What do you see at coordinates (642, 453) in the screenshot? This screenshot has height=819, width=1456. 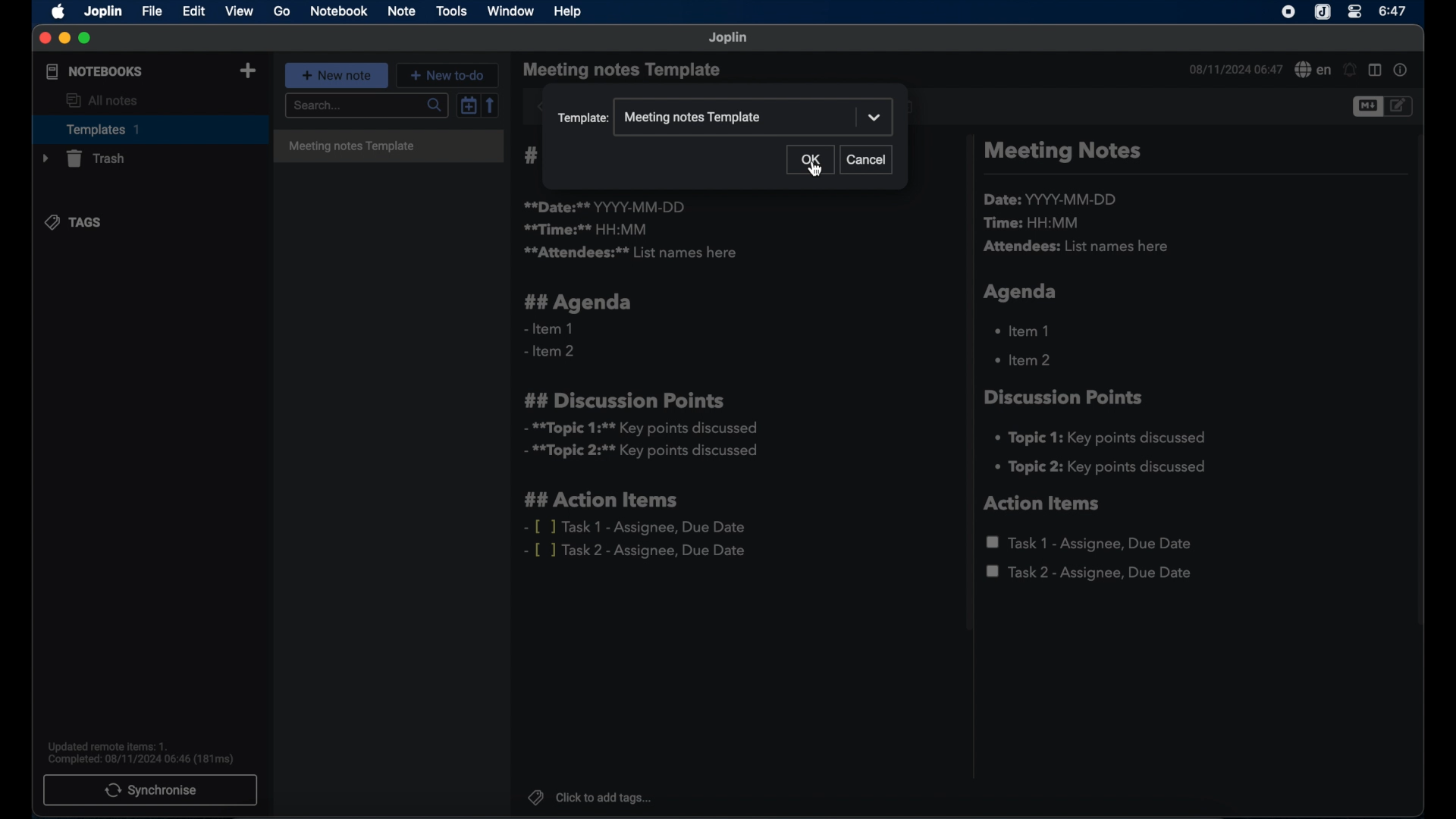 I see `**topic 2:** key points discussed` at bounding box center [642, 453].